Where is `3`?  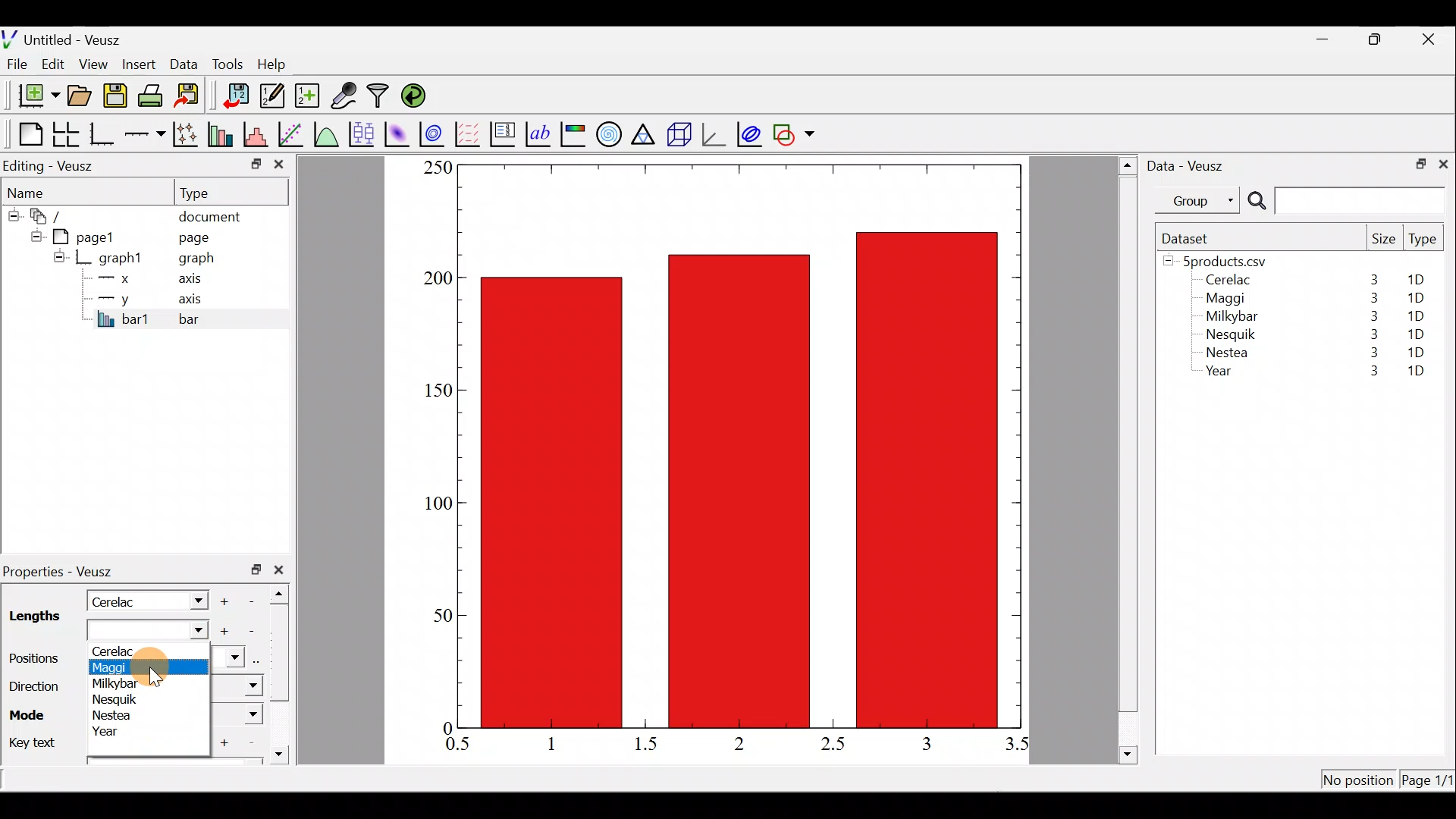 3 is located at coordinates (1373, 279).